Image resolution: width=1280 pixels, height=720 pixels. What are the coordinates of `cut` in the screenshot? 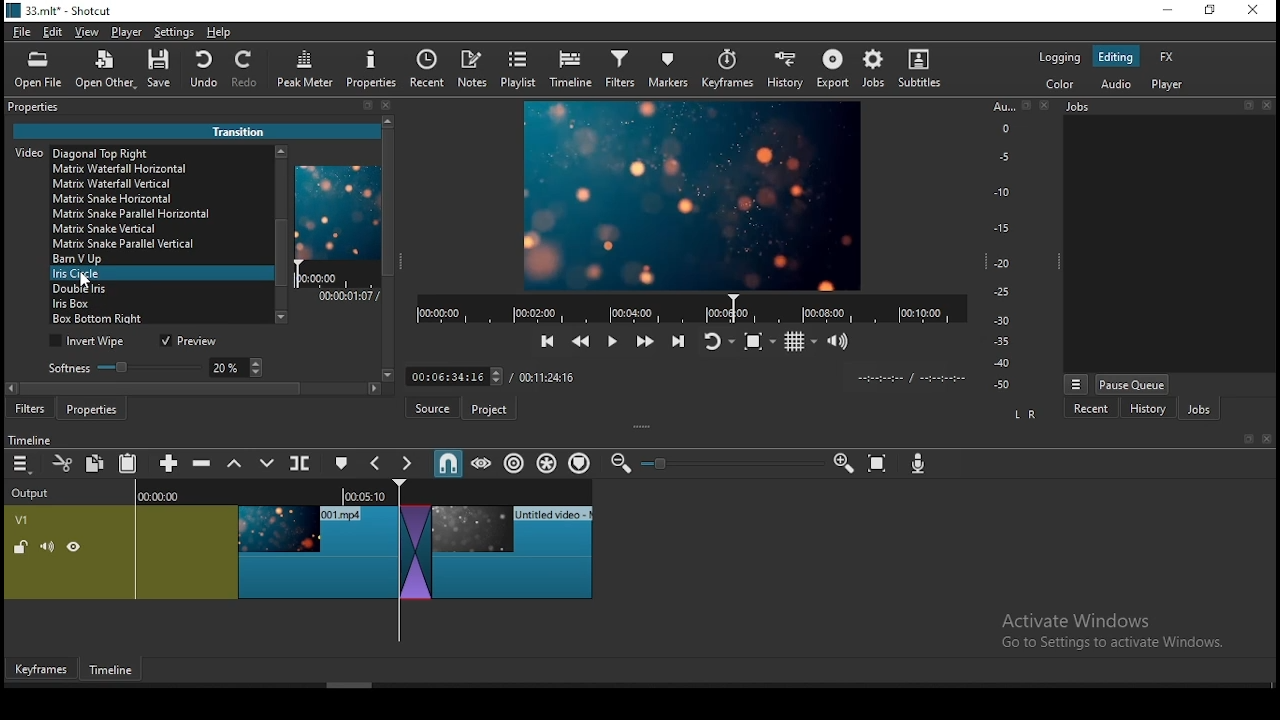 It's located at (63, 463).